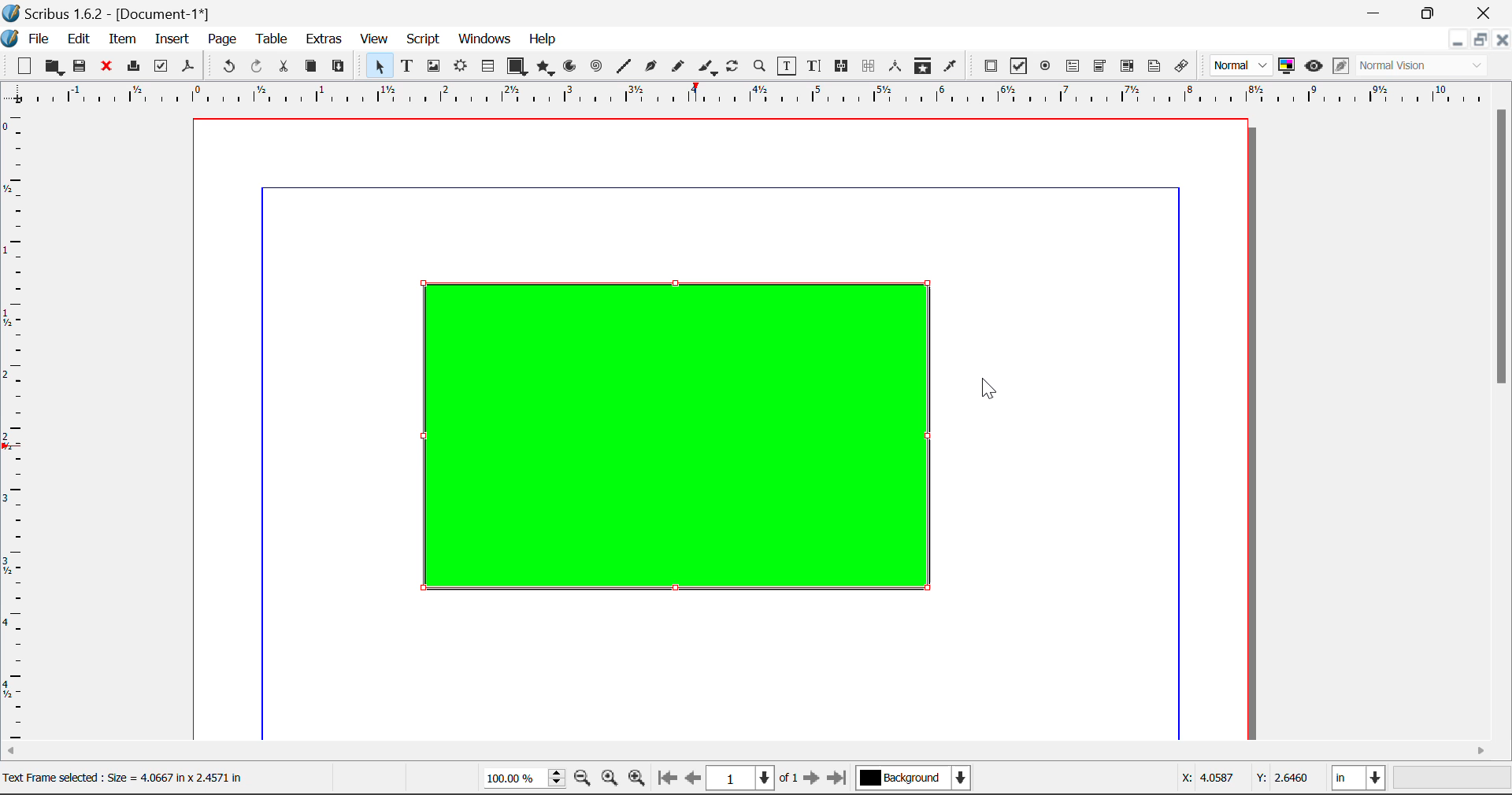 The image size is (1512, 795). What do you see at coordinates (310, 66) in the screenshot?
I see `Copy` at bounding box center [310, 66].